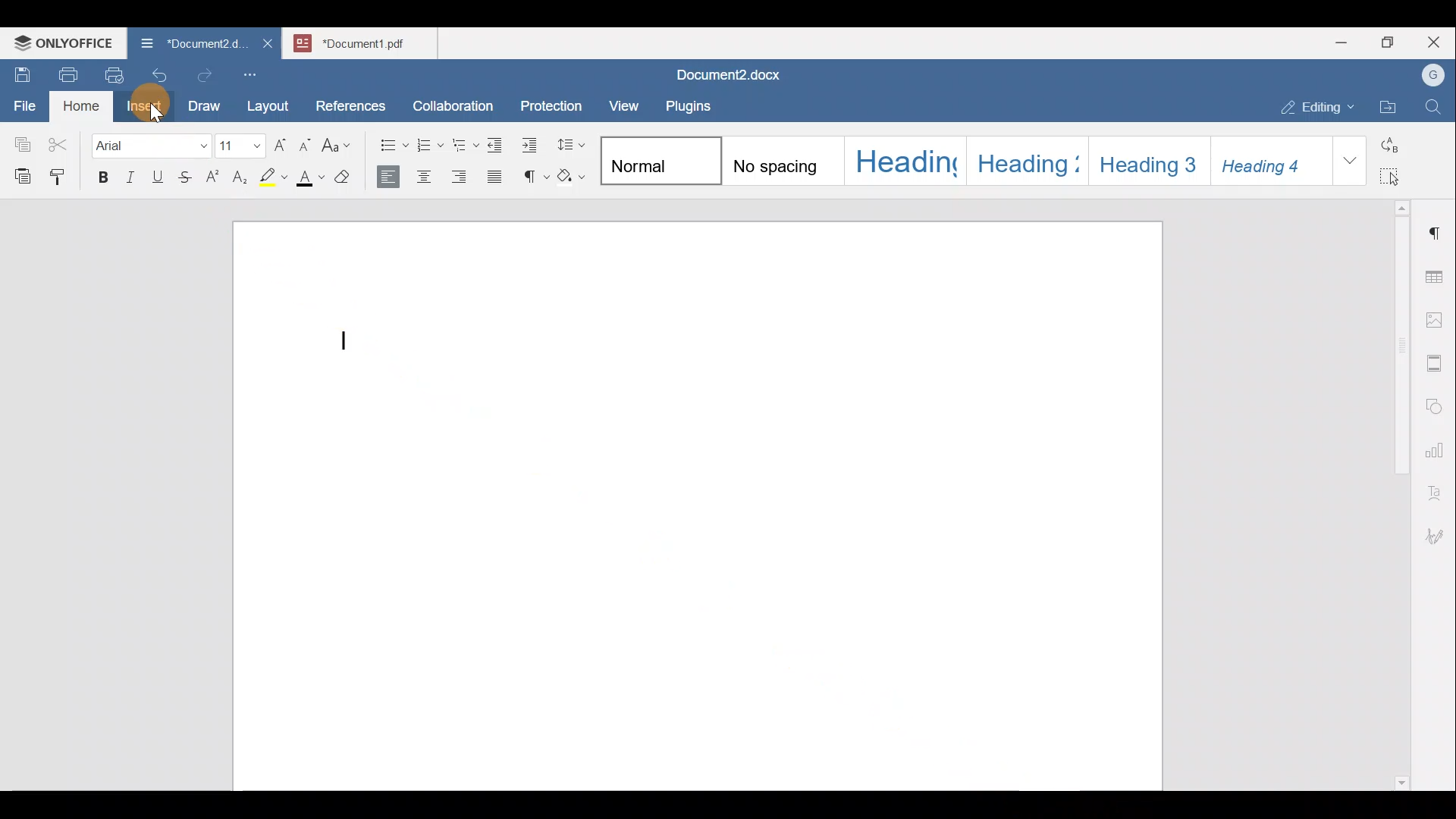 This screenshot has height=819, width=1456. What do you see at coordinates (569, 143) in the screenshot?
I see `Paragraph line spacing` at bounding box center [569, 143].